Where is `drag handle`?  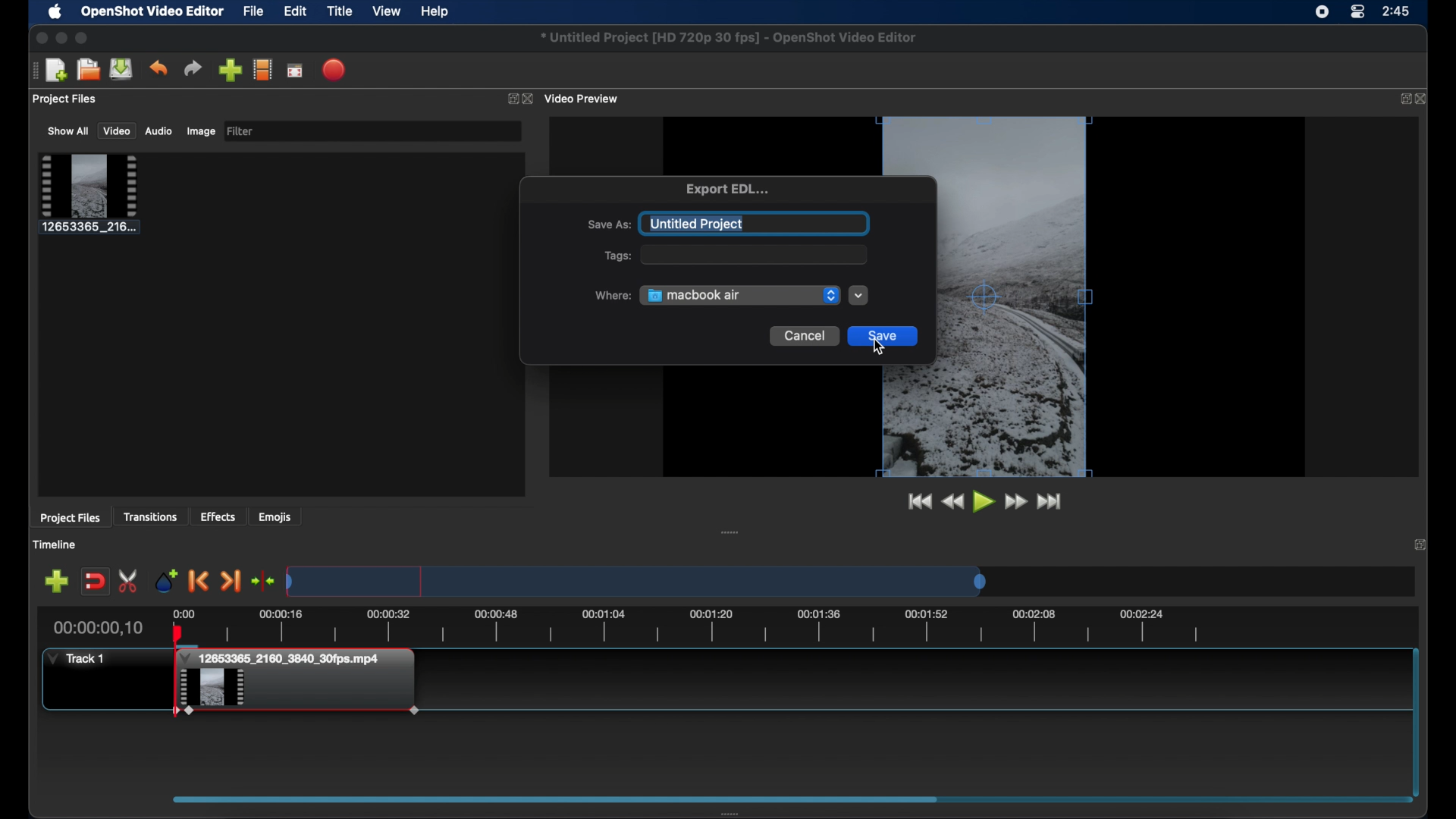
drag handle is located at coordinates (730, 532).